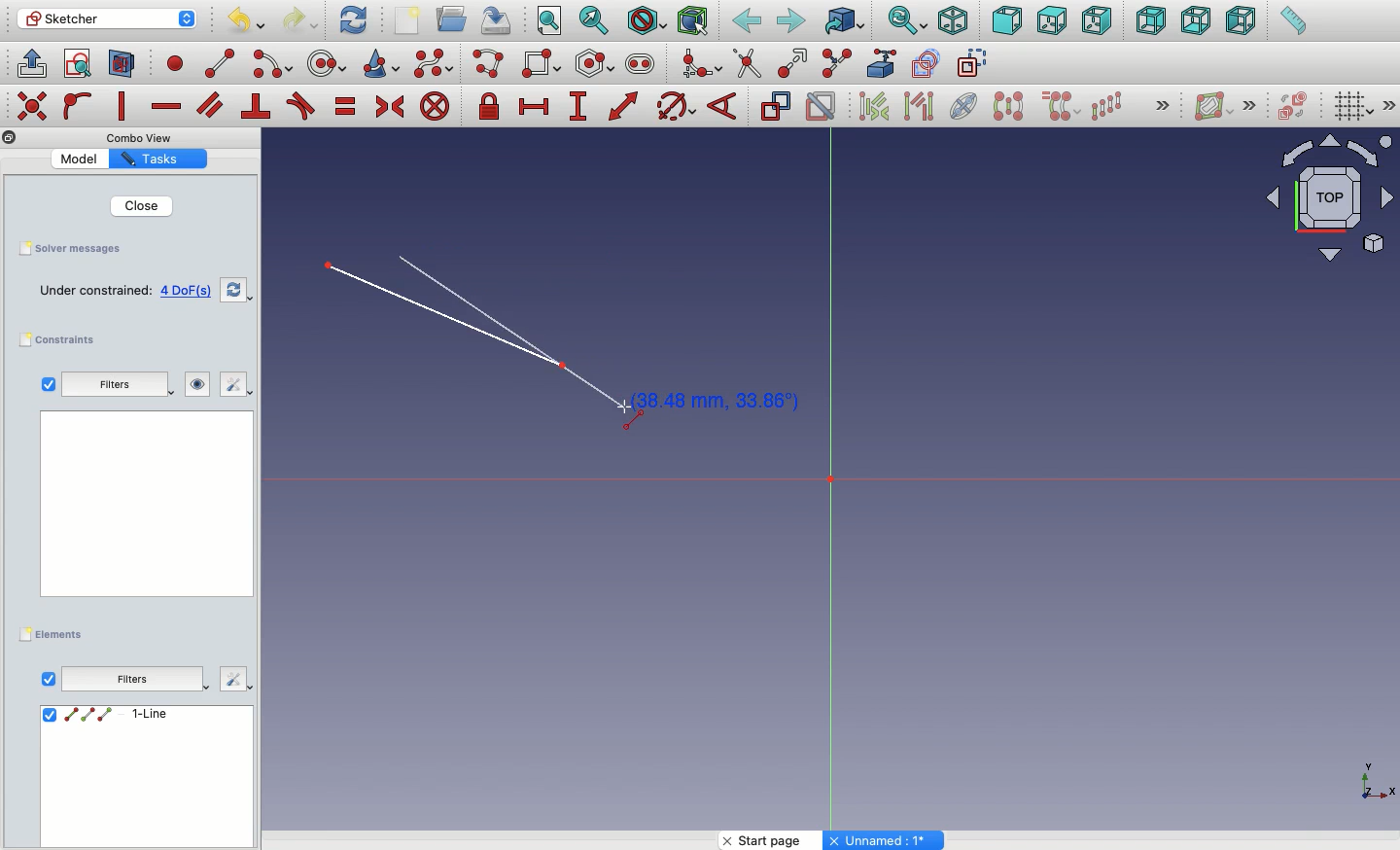 This screenshot has height=850, width=1400. Describe the element at coordinates (233, 292) in the screenshot. I see `Refresh` at that location.